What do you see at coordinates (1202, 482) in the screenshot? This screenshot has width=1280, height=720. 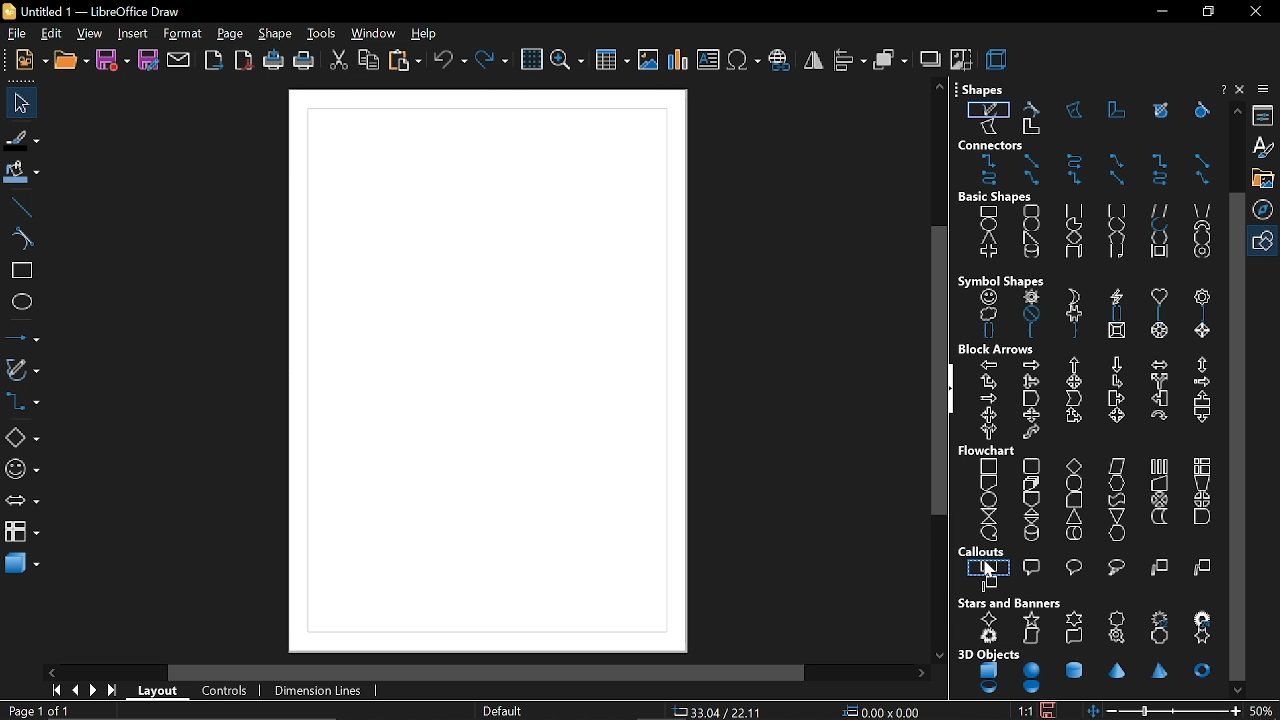 I see `manual preparation` at bounding box center [1202, 482].